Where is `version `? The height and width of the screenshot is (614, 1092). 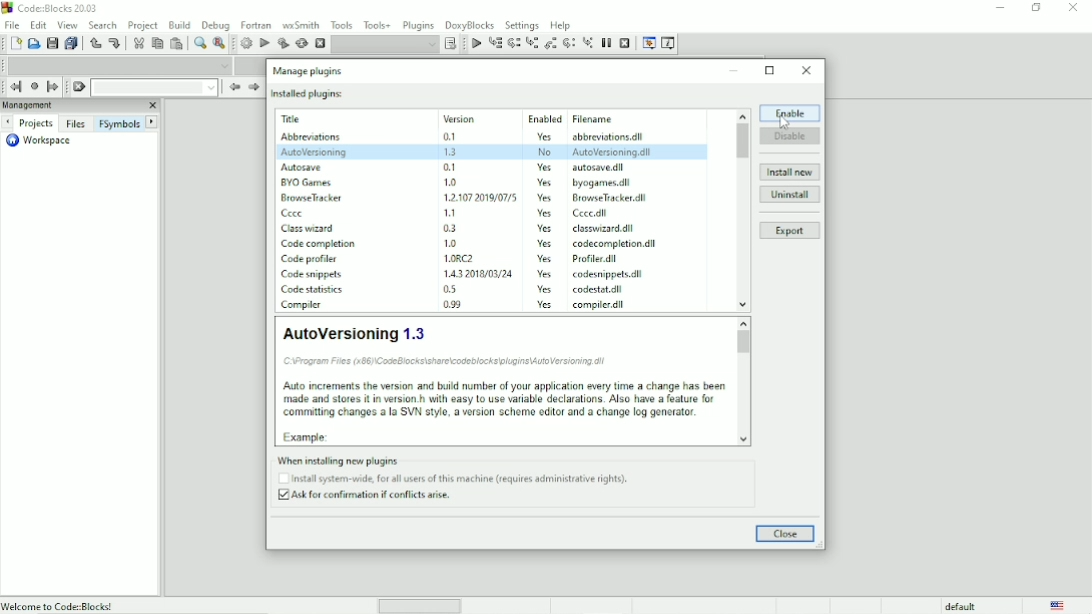
version  is located at coordinates (476, 196).